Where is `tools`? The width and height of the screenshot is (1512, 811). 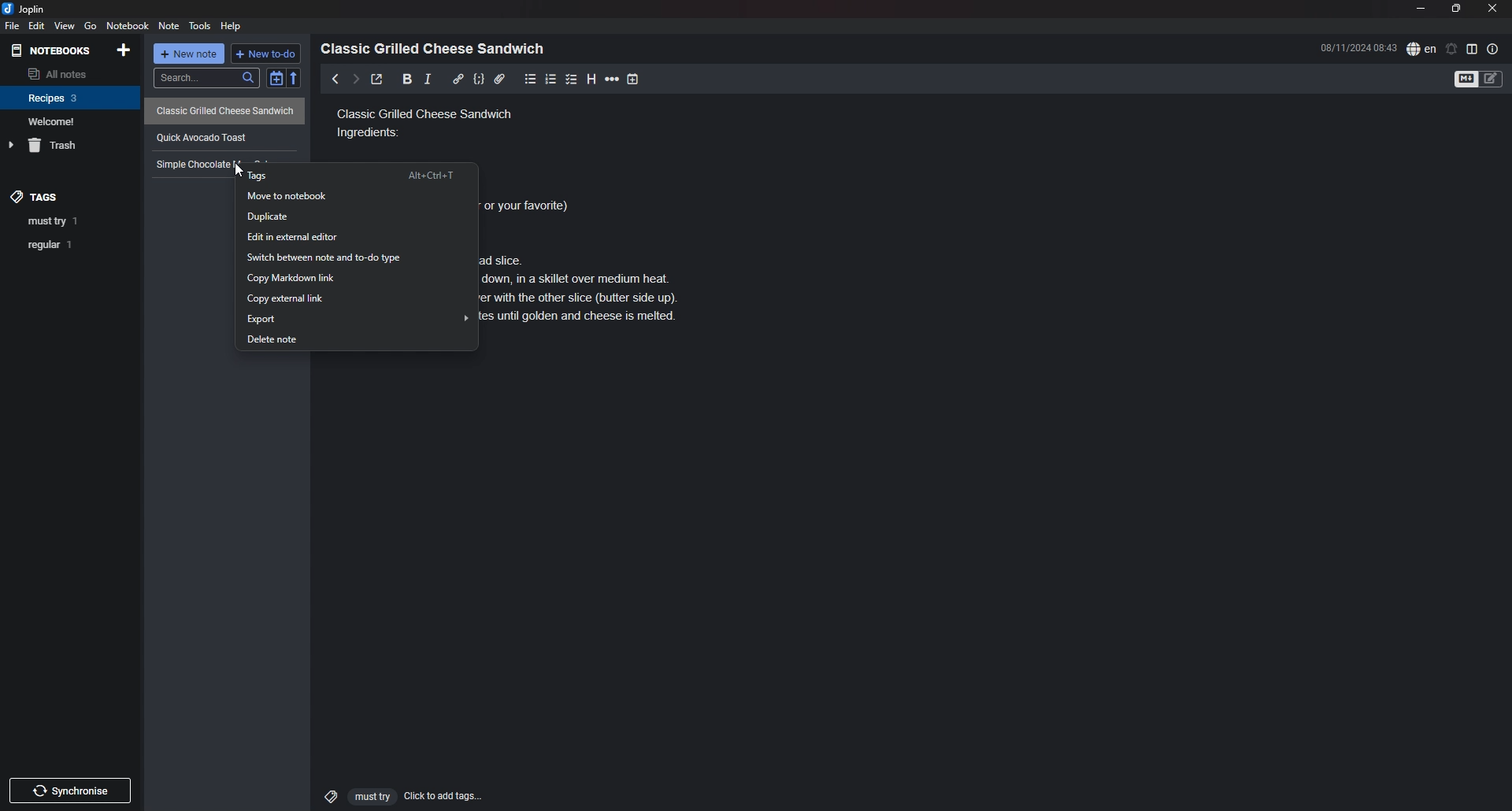
tools is located at coordinates (202, 26).